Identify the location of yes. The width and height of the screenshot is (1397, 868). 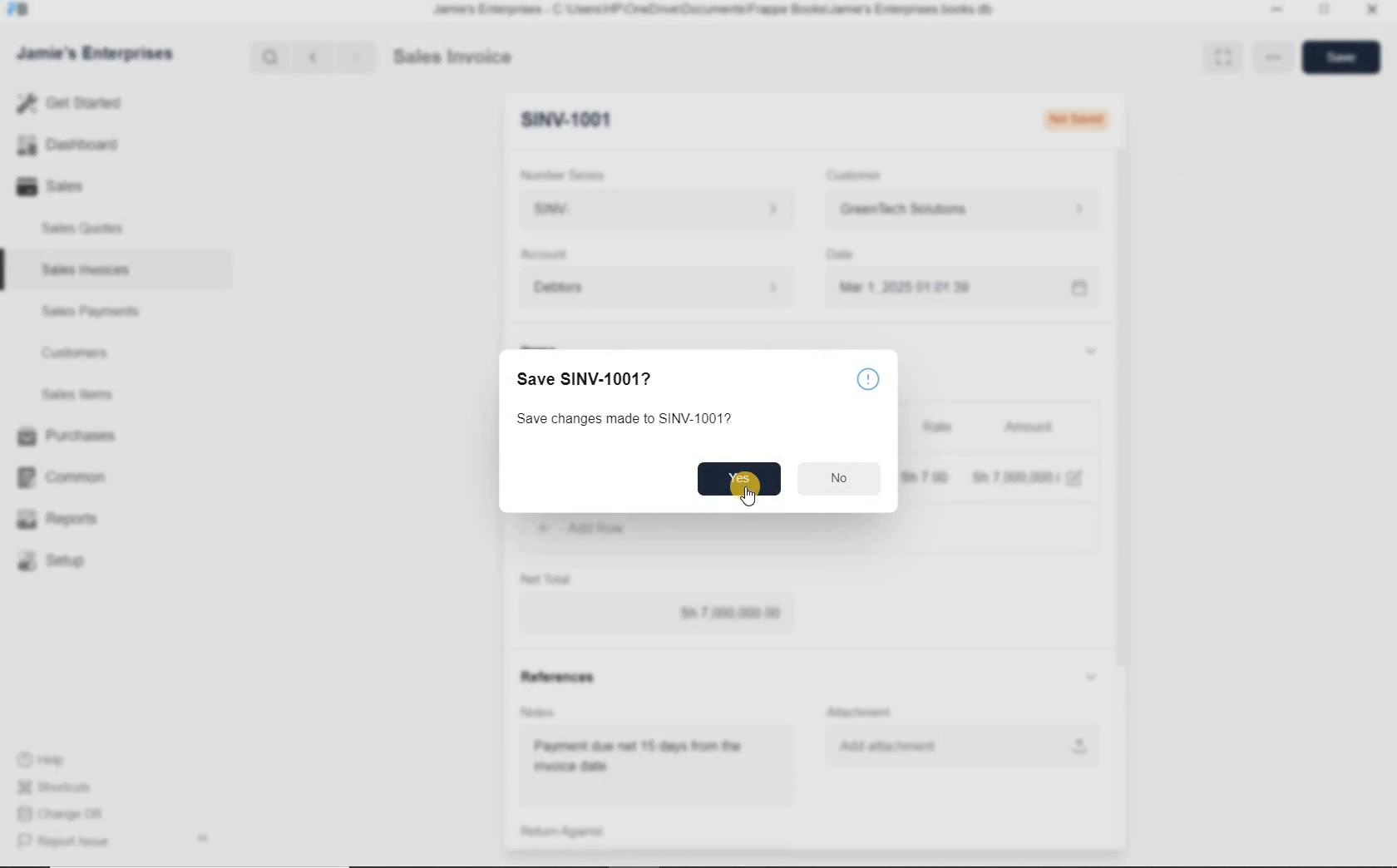
(738, 478).